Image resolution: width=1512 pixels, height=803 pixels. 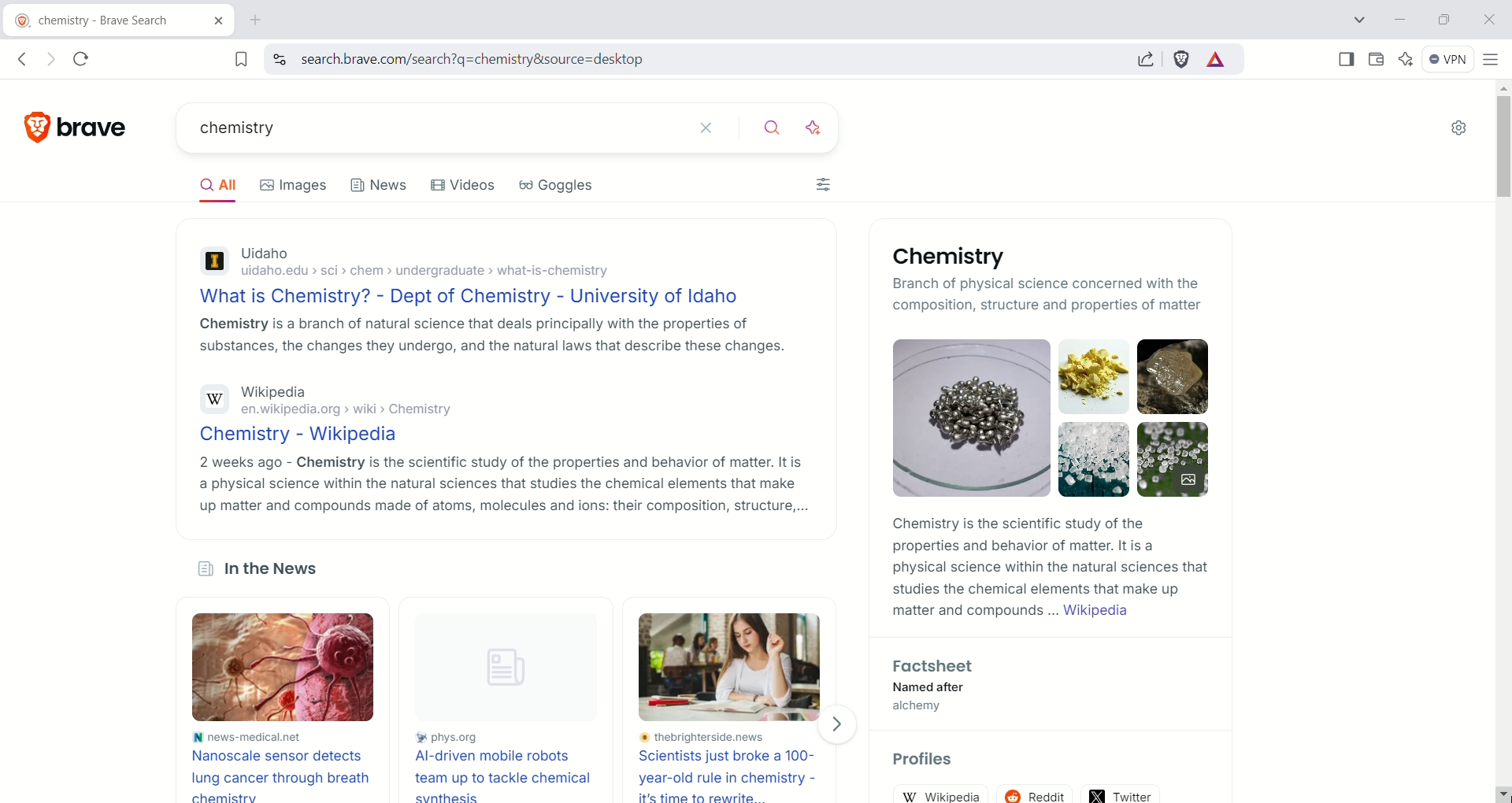 What do you see at coordinates (1122, 791) in the screenshot?
I see `twitter` at bounding box center [1122, 791].